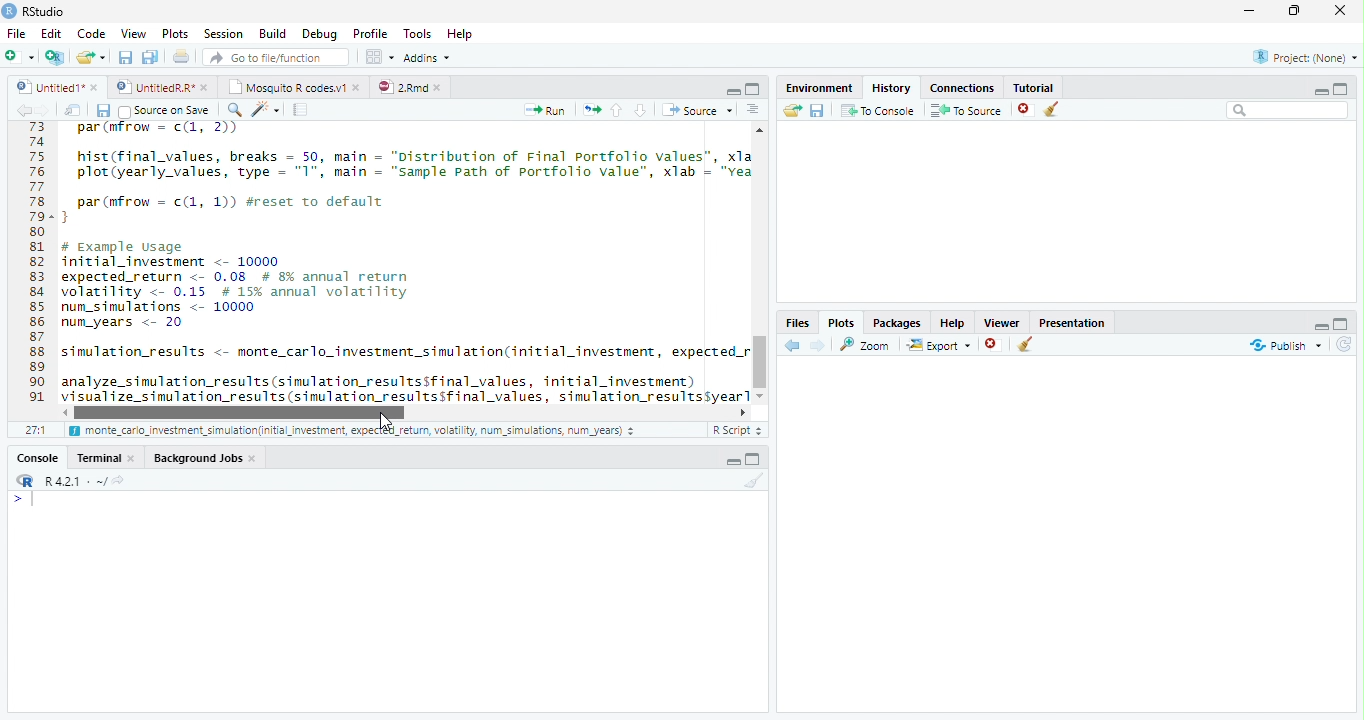 This screenshot has width=1364, height=720. Describe the element at coordinates (34, 430) in the screenshot. I see `1:1` at that location.